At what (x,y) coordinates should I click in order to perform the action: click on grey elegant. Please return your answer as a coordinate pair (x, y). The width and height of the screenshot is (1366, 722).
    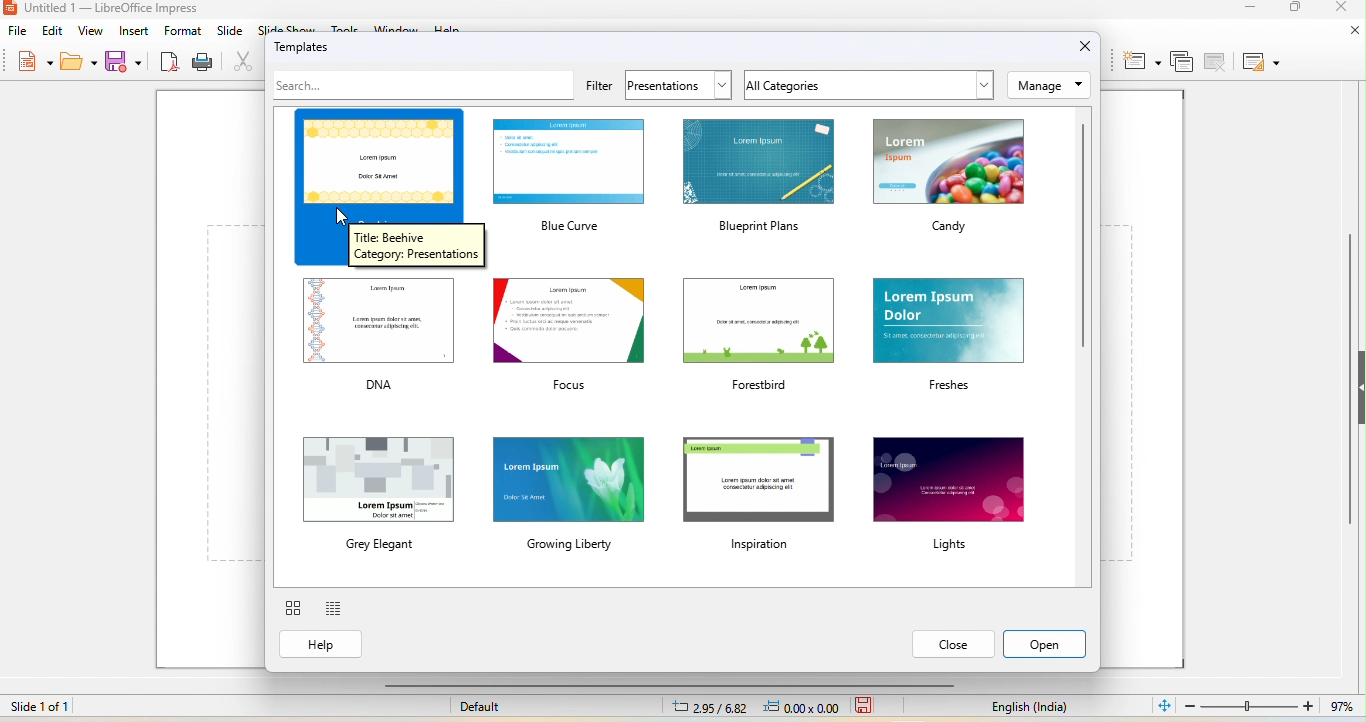
    Looking at the image, I should click on (378, 490).